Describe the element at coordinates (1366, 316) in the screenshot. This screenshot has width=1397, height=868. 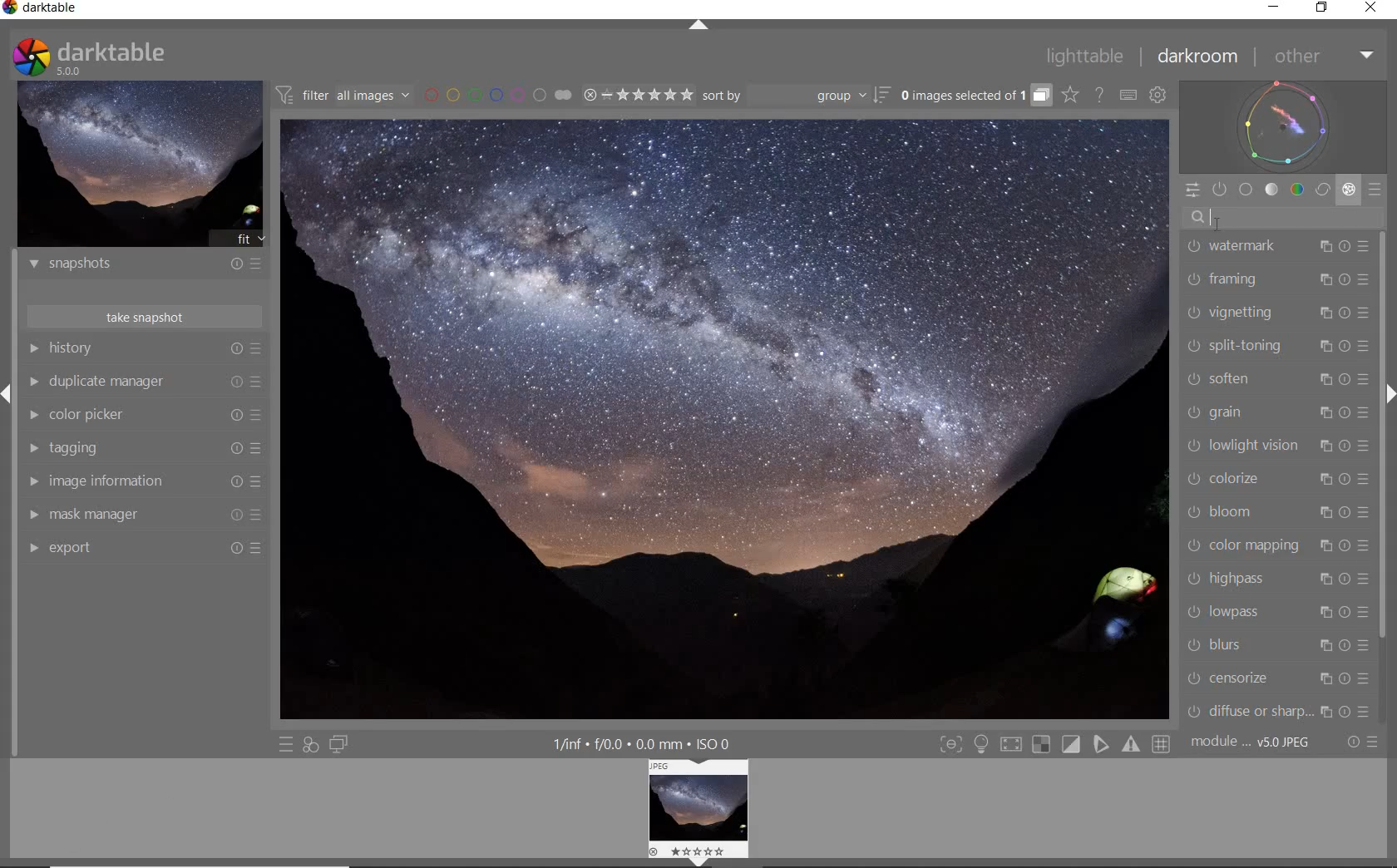
I see `presets` at that location.